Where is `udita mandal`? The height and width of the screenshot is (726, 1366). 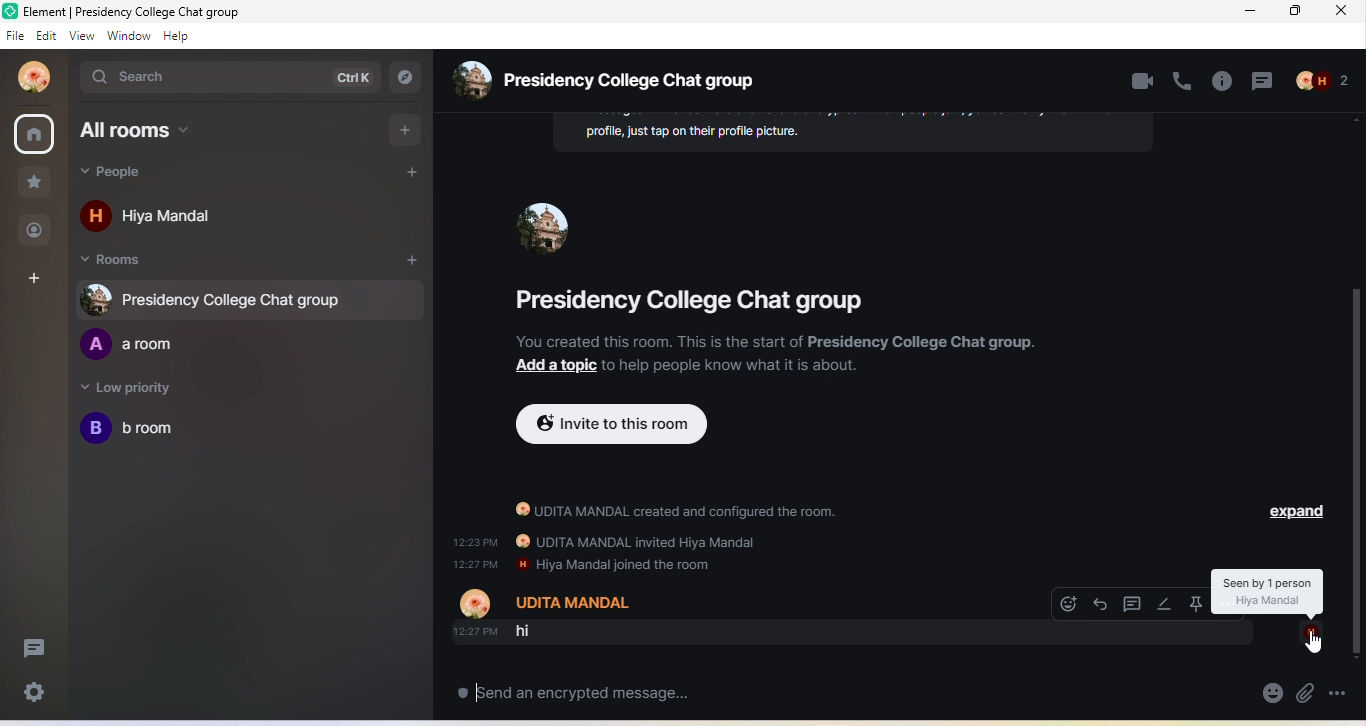
udita mandal is located at coordinates (33, 76).